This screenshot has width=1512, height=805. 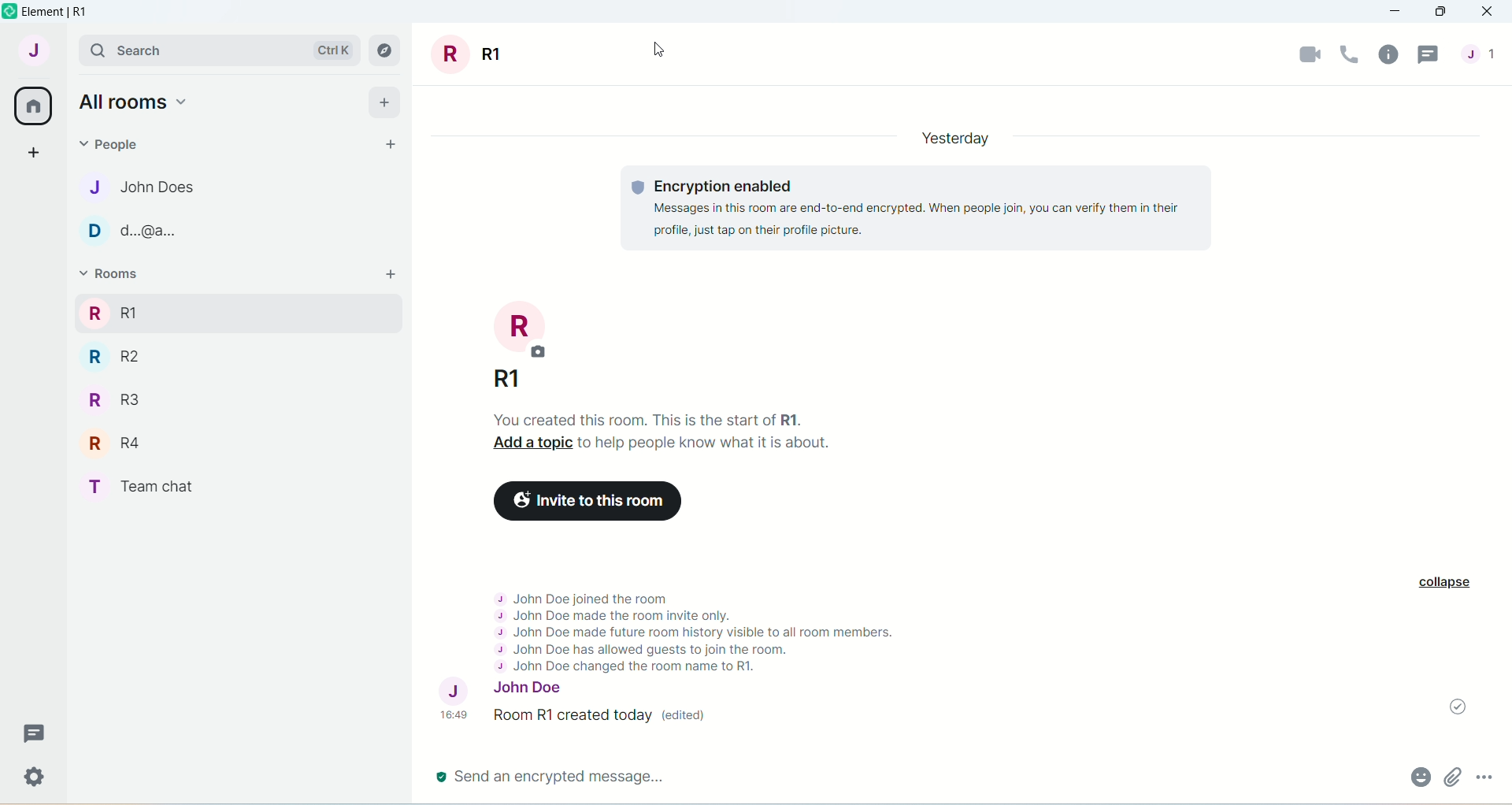 I want to click on all rooms, so click(x=31, y=108).